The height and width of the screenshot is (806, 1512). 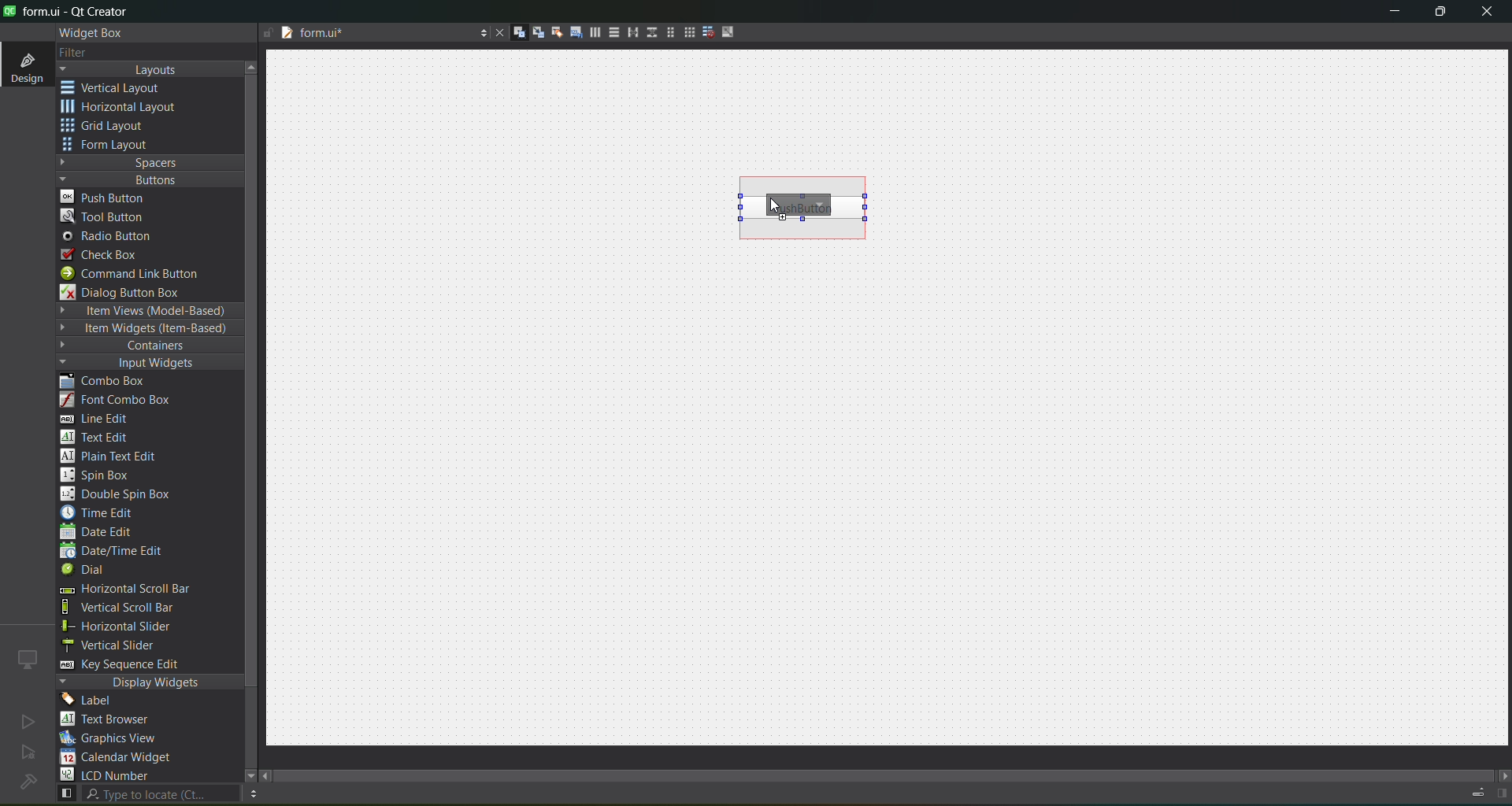 I want to click on no project loaded, so click(x=28, y=782).